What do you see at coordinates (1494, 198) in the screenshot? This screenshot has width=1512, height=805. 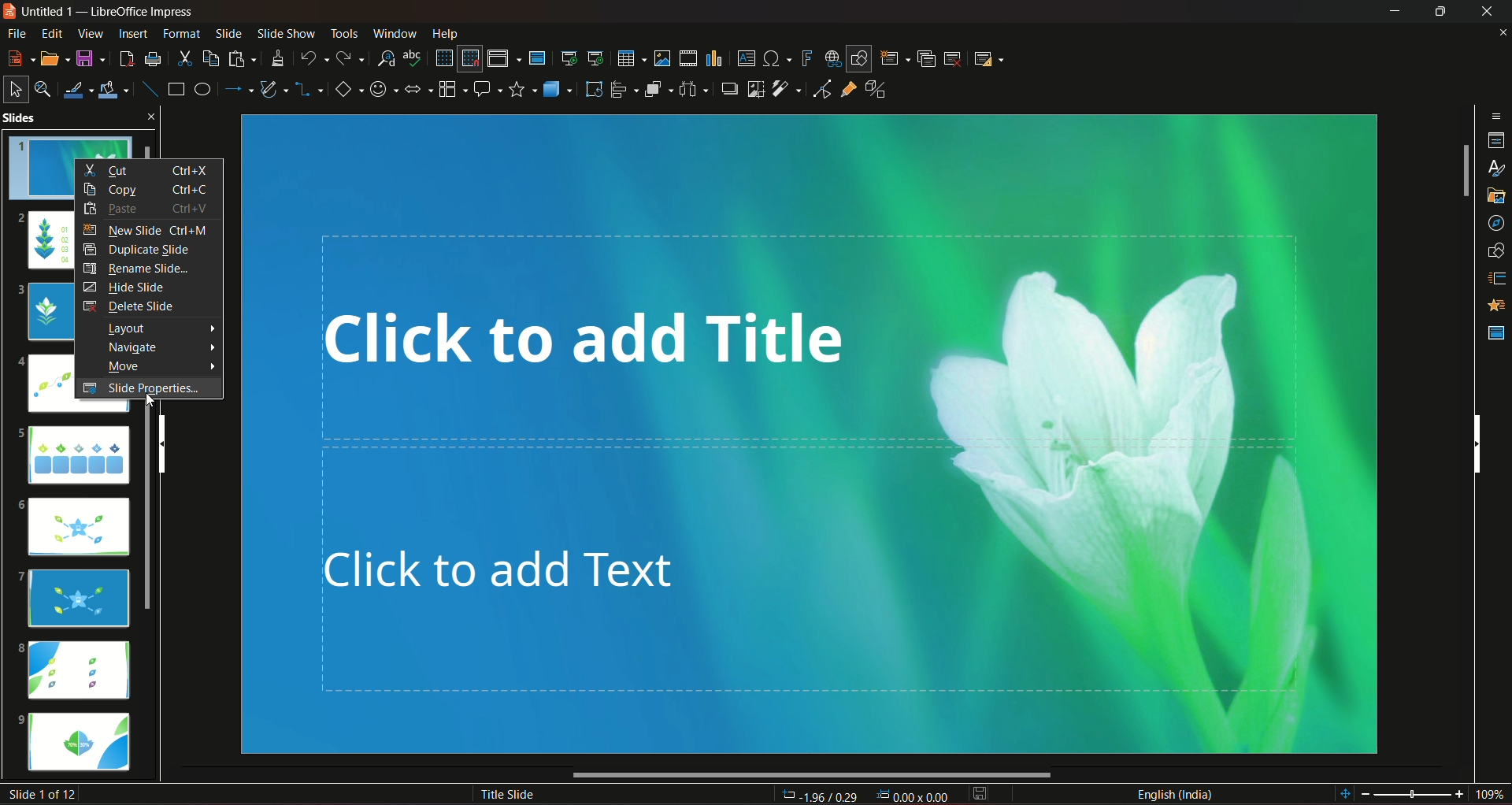 I see `gallery` at bounding box center [1494, 198].